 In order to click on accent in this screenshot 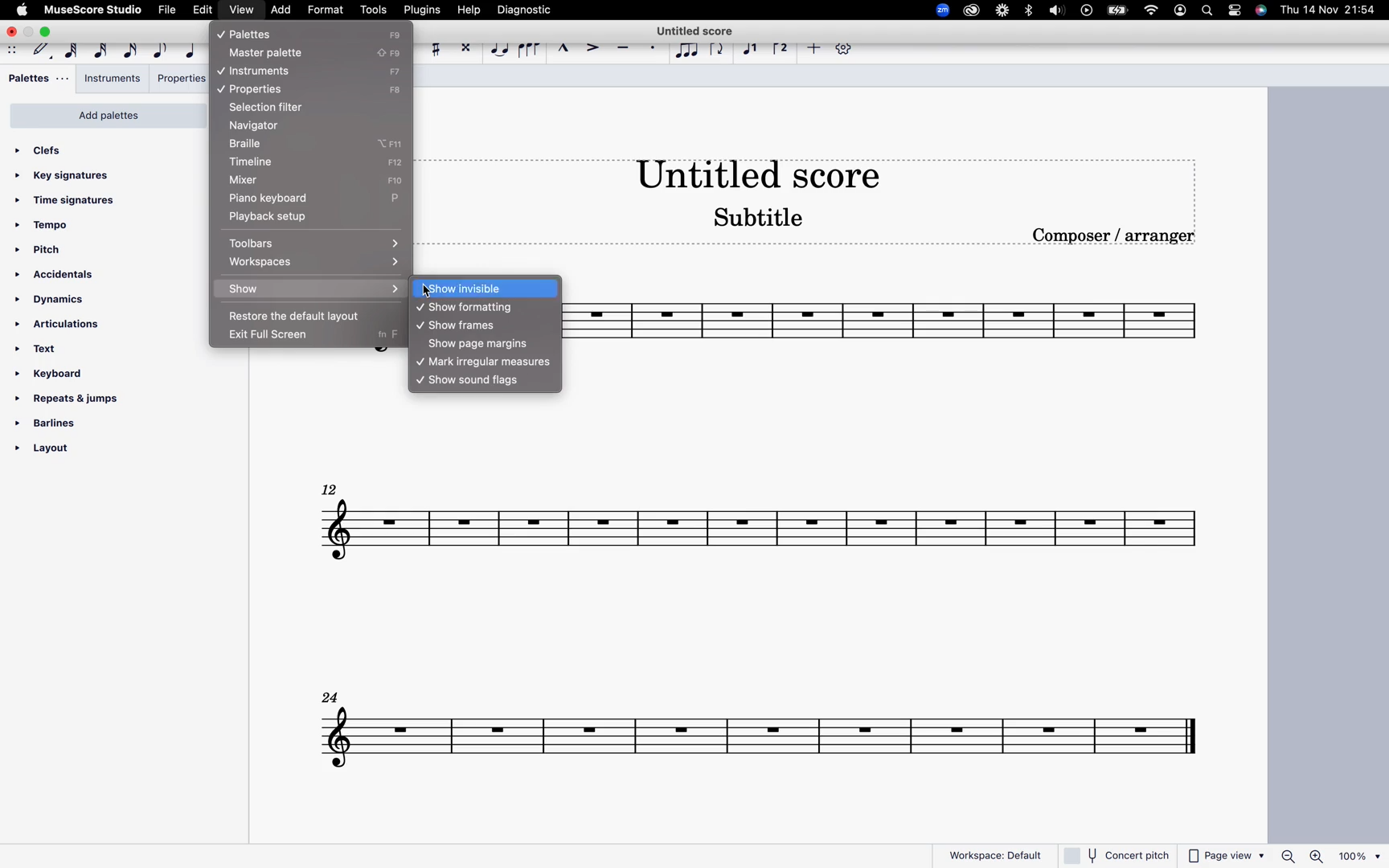, I will do `click(592, 49)`.